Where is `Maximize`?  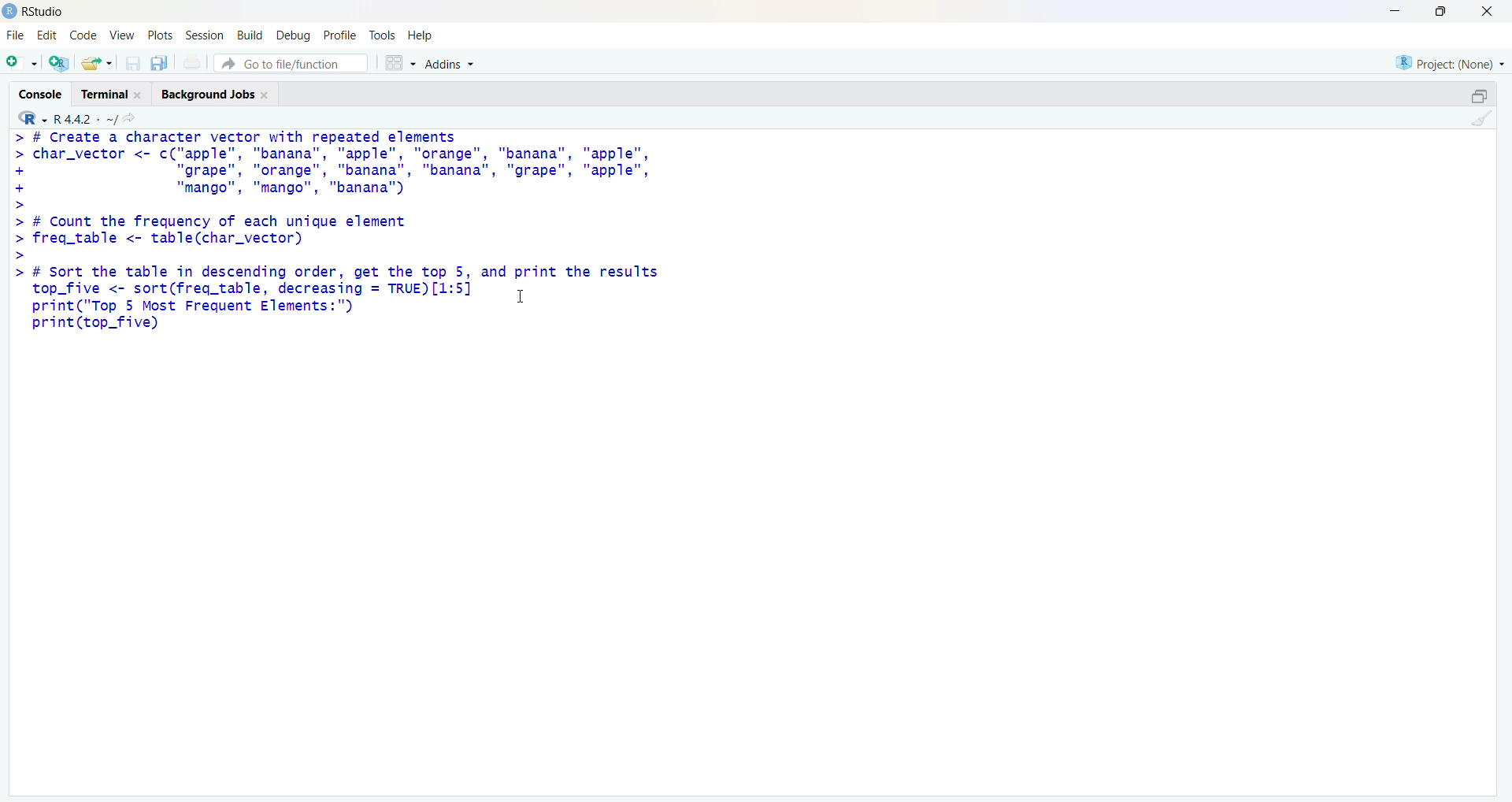 Maximize is located at coordinates (1480, 93).